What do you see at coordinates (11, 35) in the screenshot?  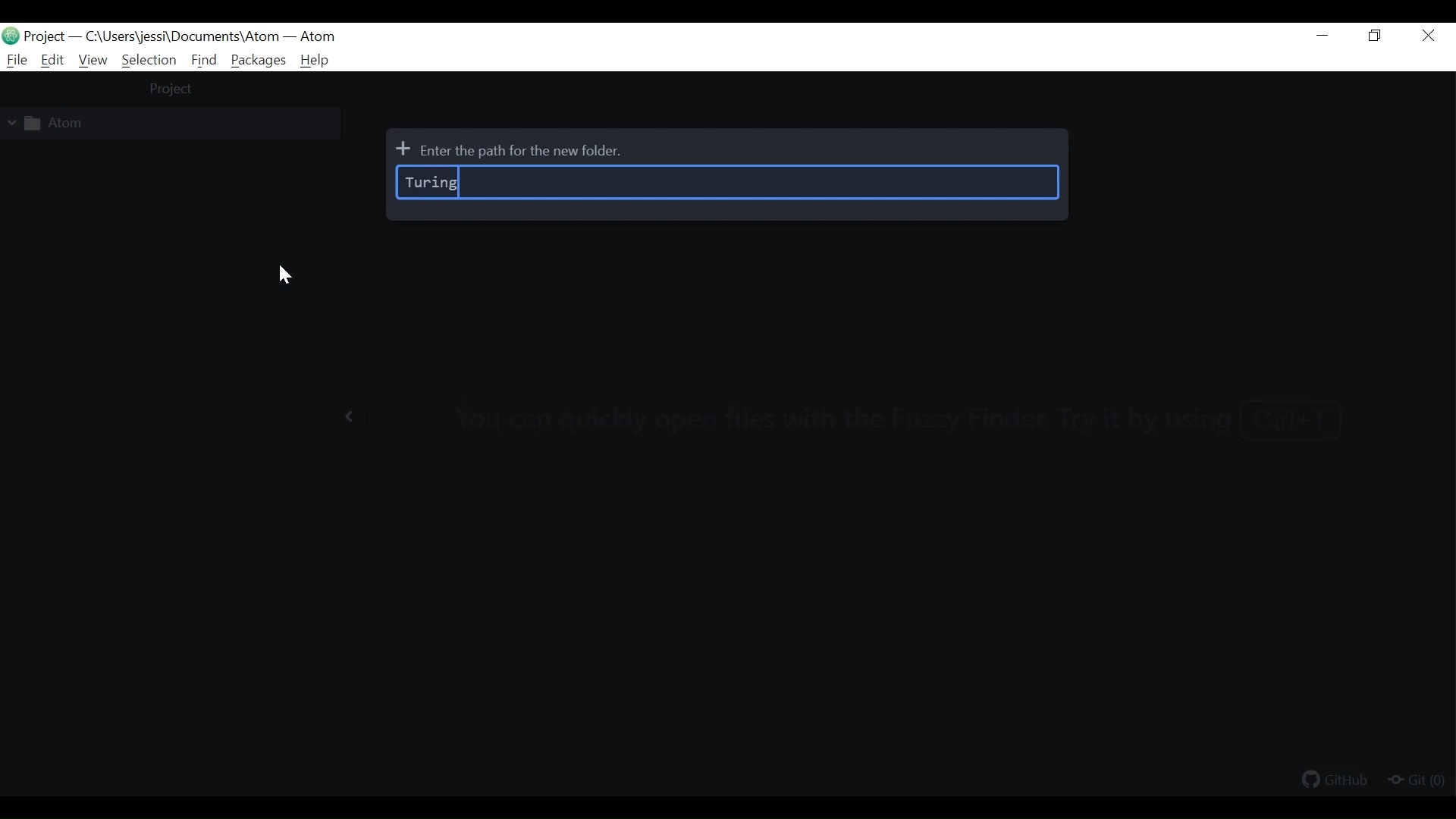 I see `Atom Desktop Icon` at bounding box center [11, 35].